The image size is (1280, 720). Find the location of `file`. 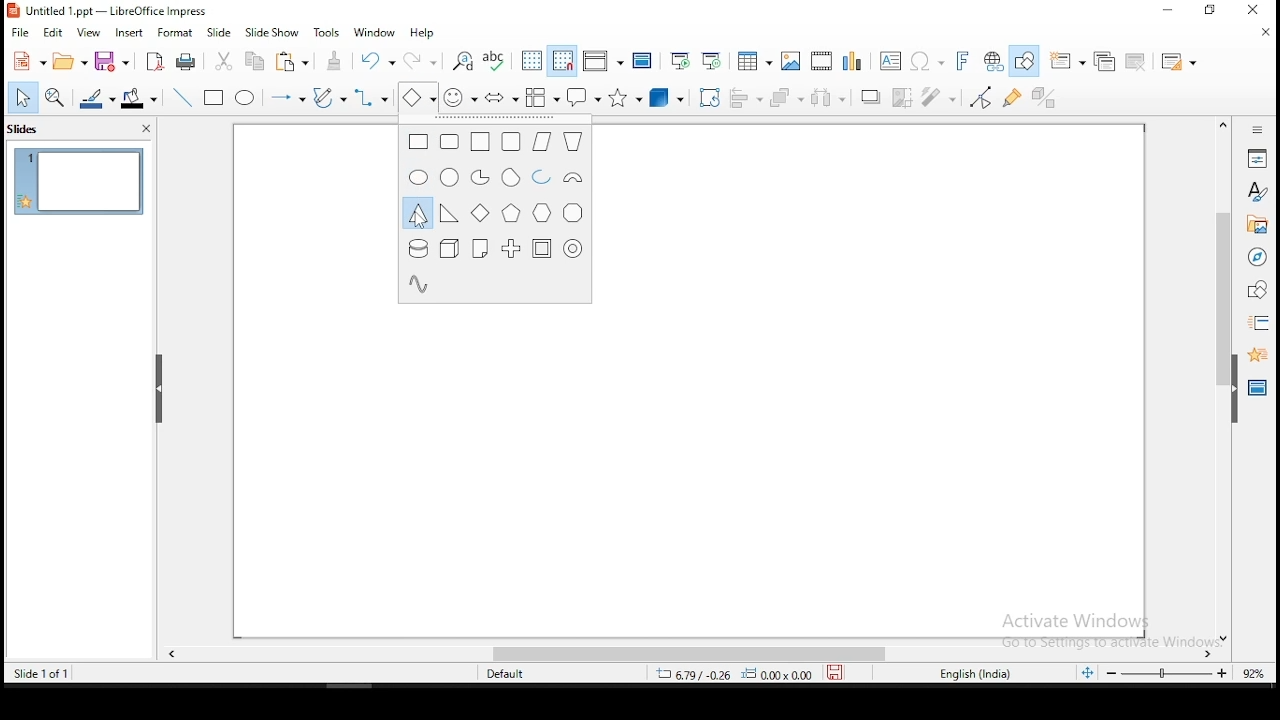

file is located at coordinates (20, 34).